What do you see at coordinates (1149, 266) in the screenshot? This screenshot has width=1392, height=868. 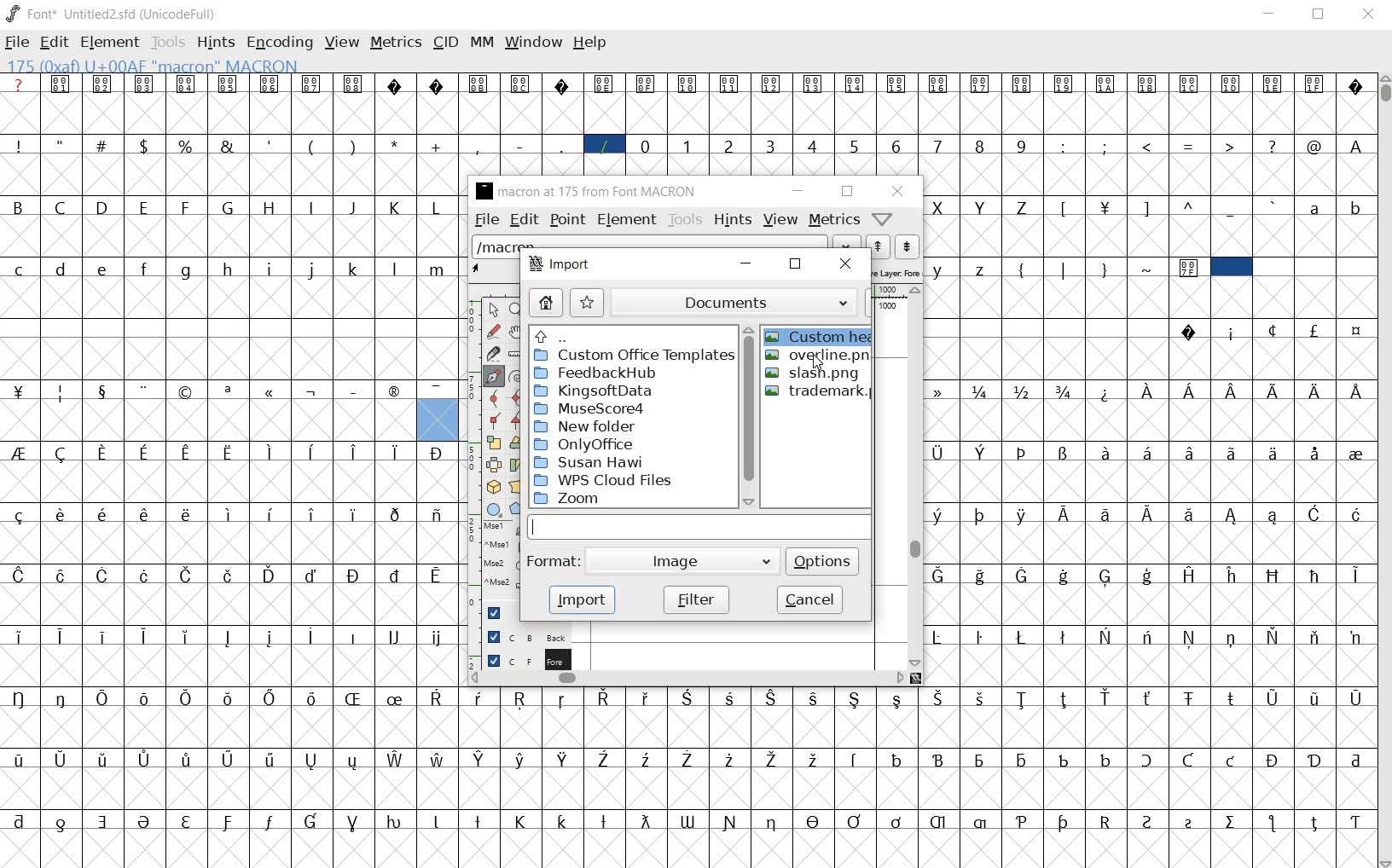 I see `~` at bounding box center [1149, 266].